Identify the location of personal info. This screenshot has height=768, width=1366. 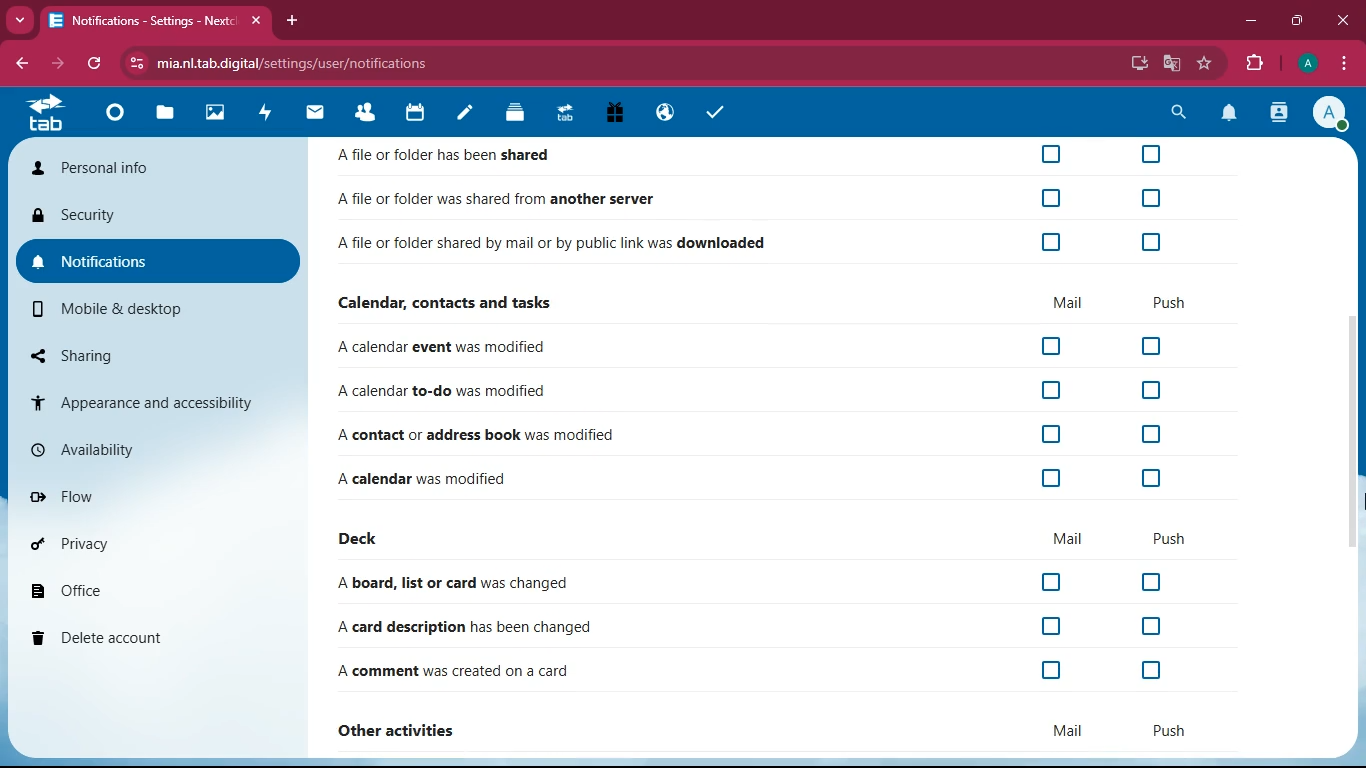
(158, 167).